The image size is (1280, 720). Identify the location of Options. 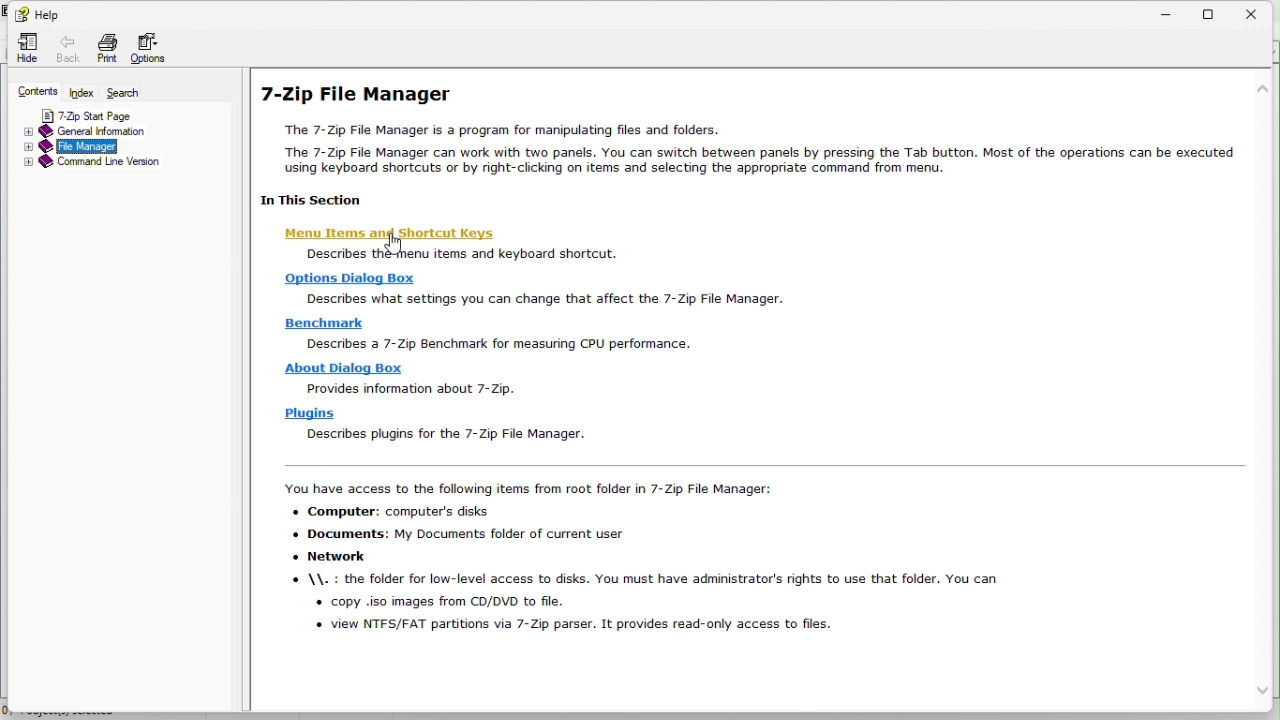
(153, 50).